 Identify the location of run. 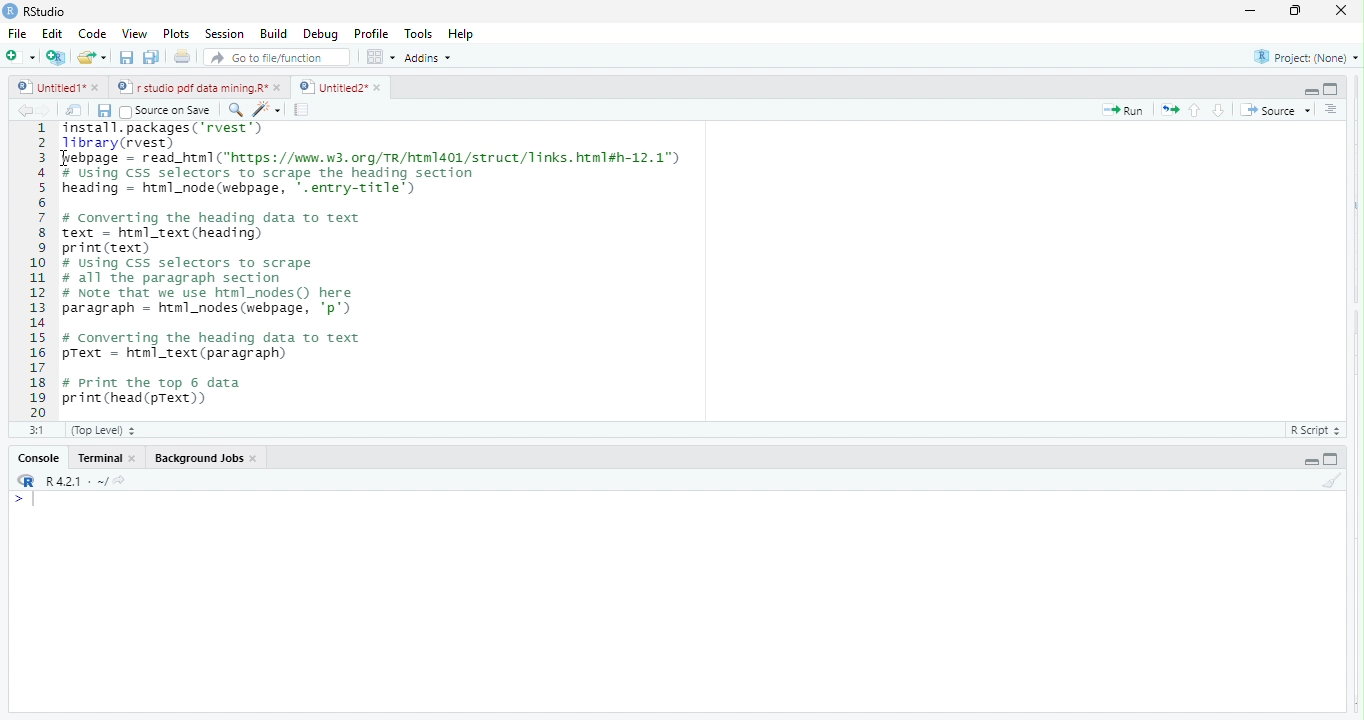
(1124, 111).